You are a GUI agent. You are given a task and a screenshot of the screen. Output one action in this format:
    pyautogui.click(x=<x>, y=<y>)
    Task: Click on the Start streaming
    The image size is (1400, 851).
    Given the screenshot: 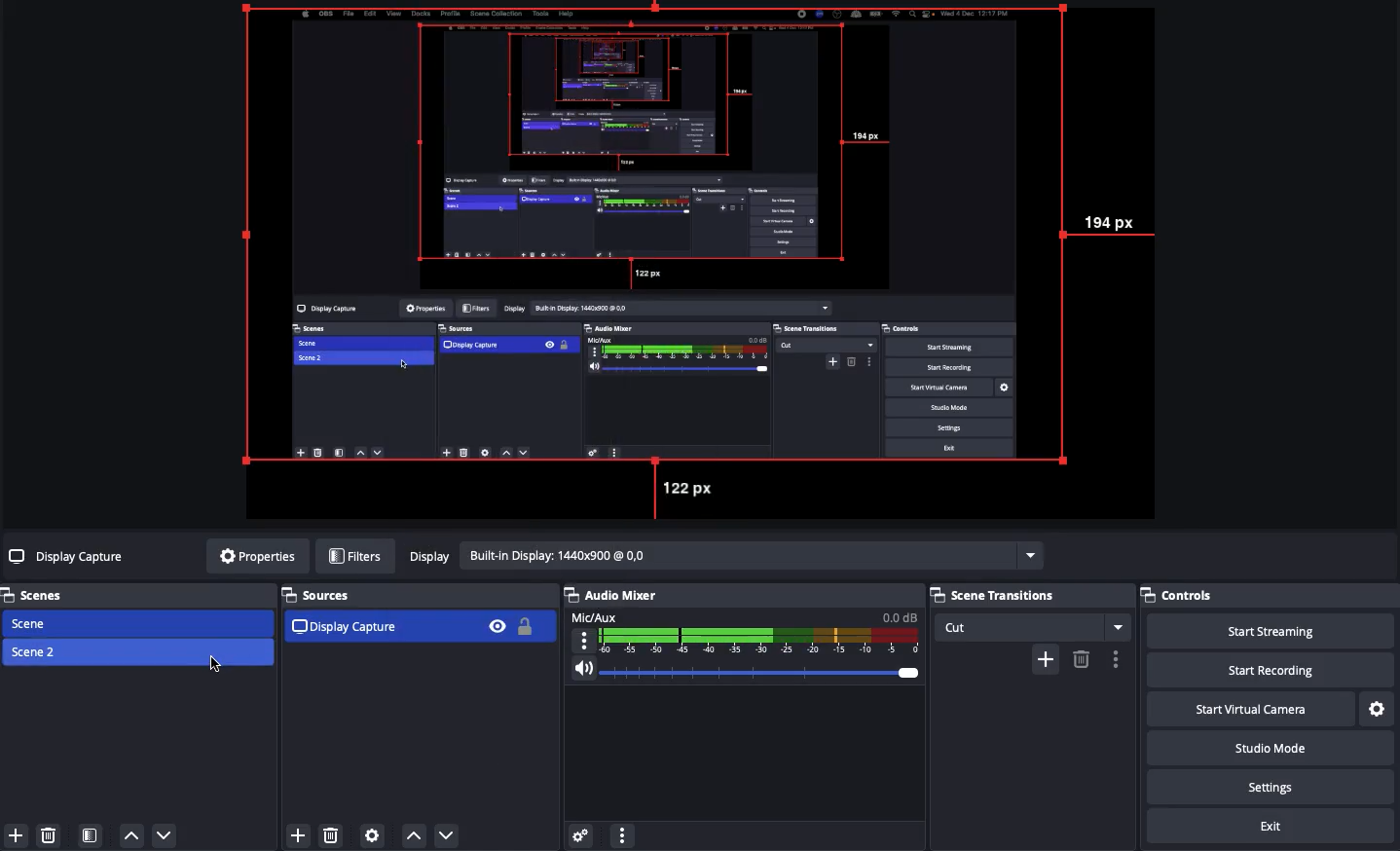 What is the action you would take?
    pyautogui.click(x=1271, y=631)
    